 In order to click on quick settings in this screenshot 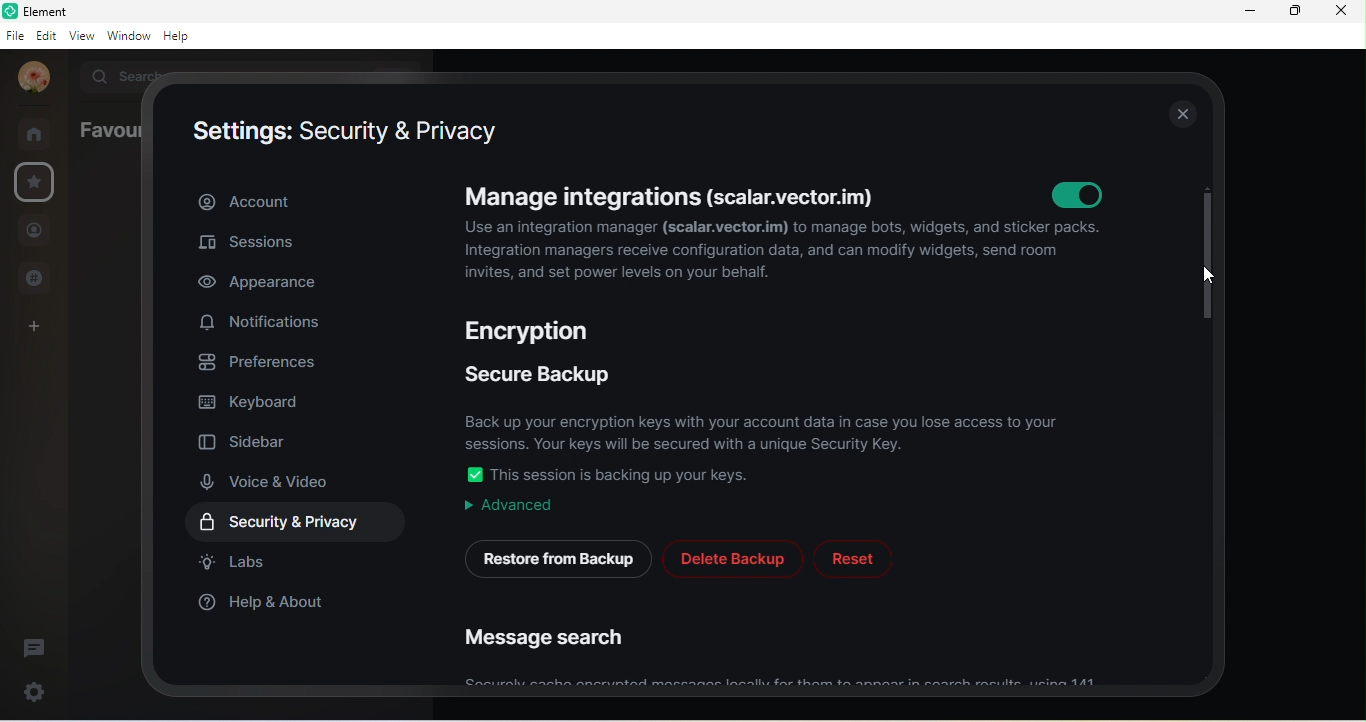, I will do `click(30, 689)`.